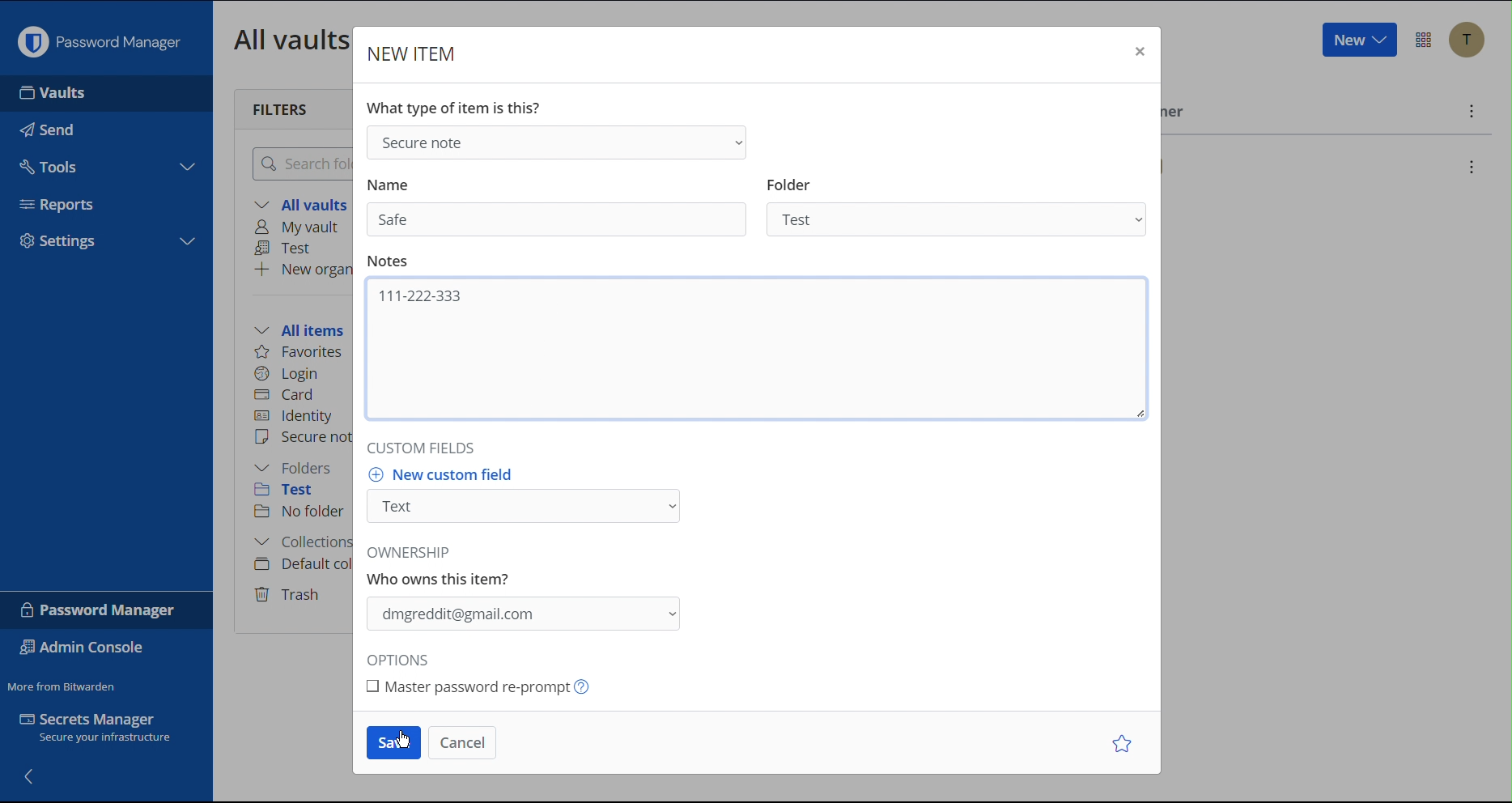 The width and height of the screenshot is (1512, 803). Describe the element at coordinates (100, 610) in the screenshot. I see `Password Manager` at that location.